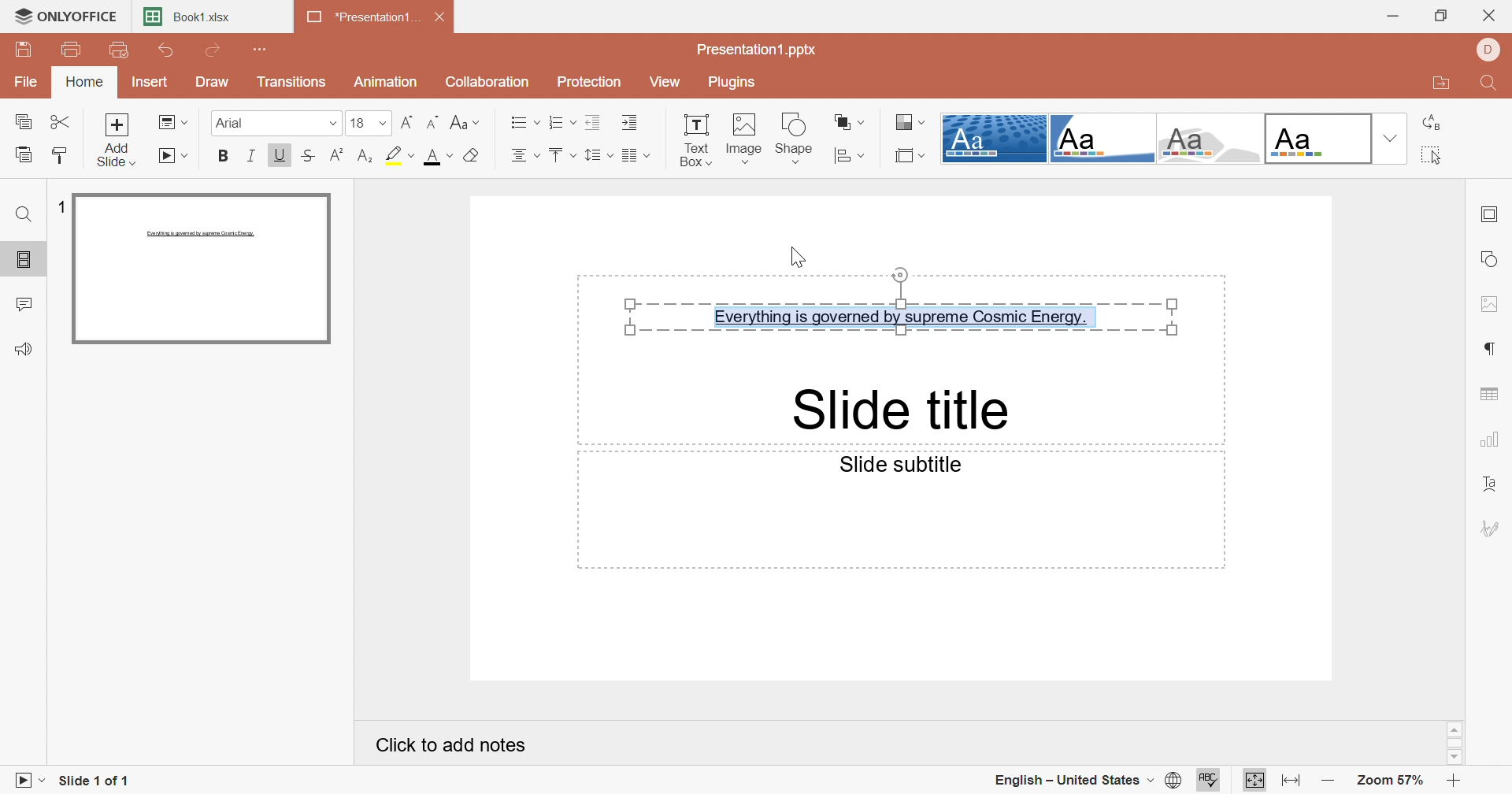 This screenshot has height=794, width=1512. What do you see at coordinates (1492, 484) in the screenshot?
I see `Text art settings` at bounding box center [1492, 484].